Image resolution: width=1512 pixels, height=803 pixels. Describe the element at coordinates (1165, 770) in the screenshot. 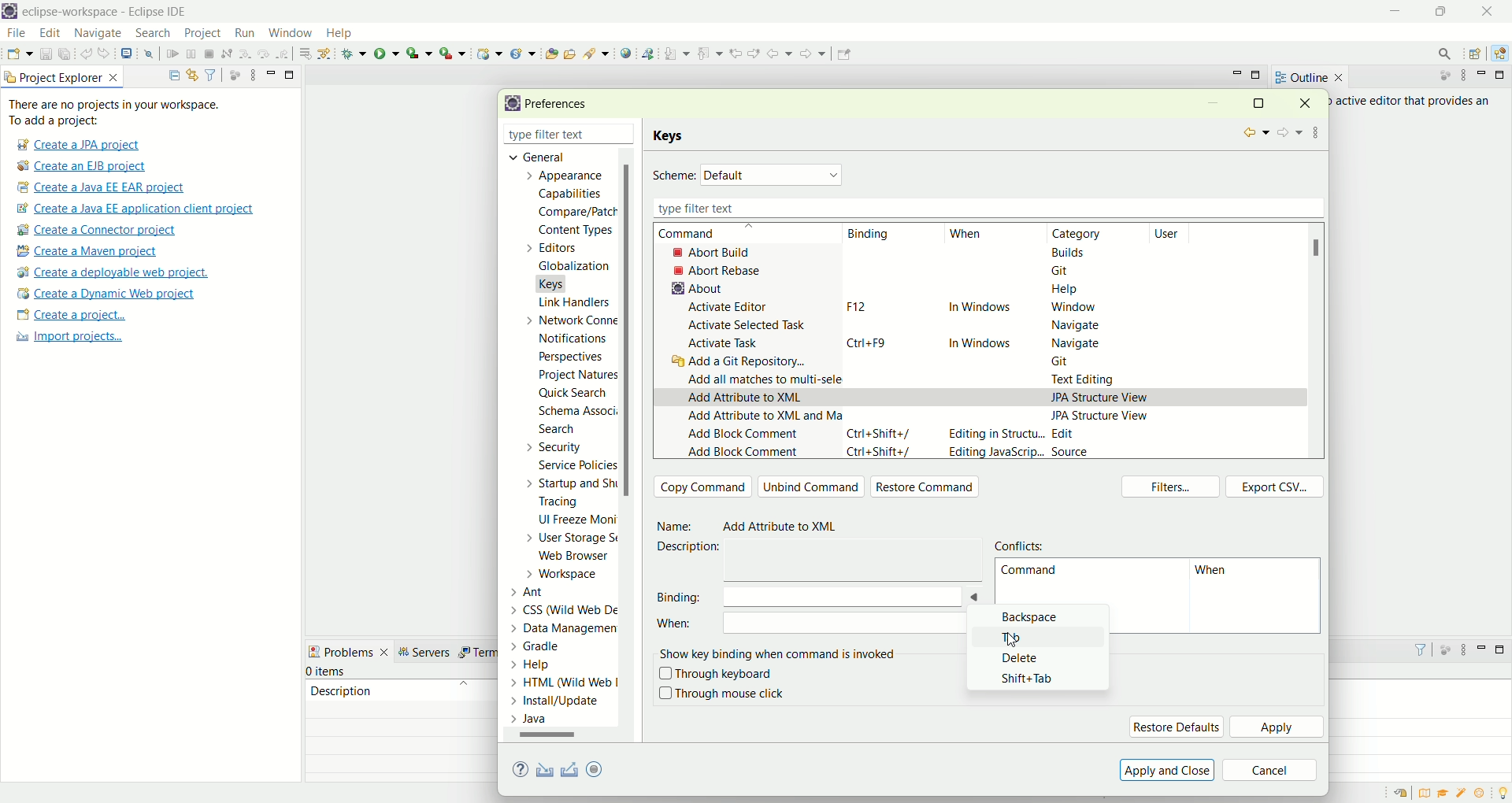

I see `apply and close` at that location.